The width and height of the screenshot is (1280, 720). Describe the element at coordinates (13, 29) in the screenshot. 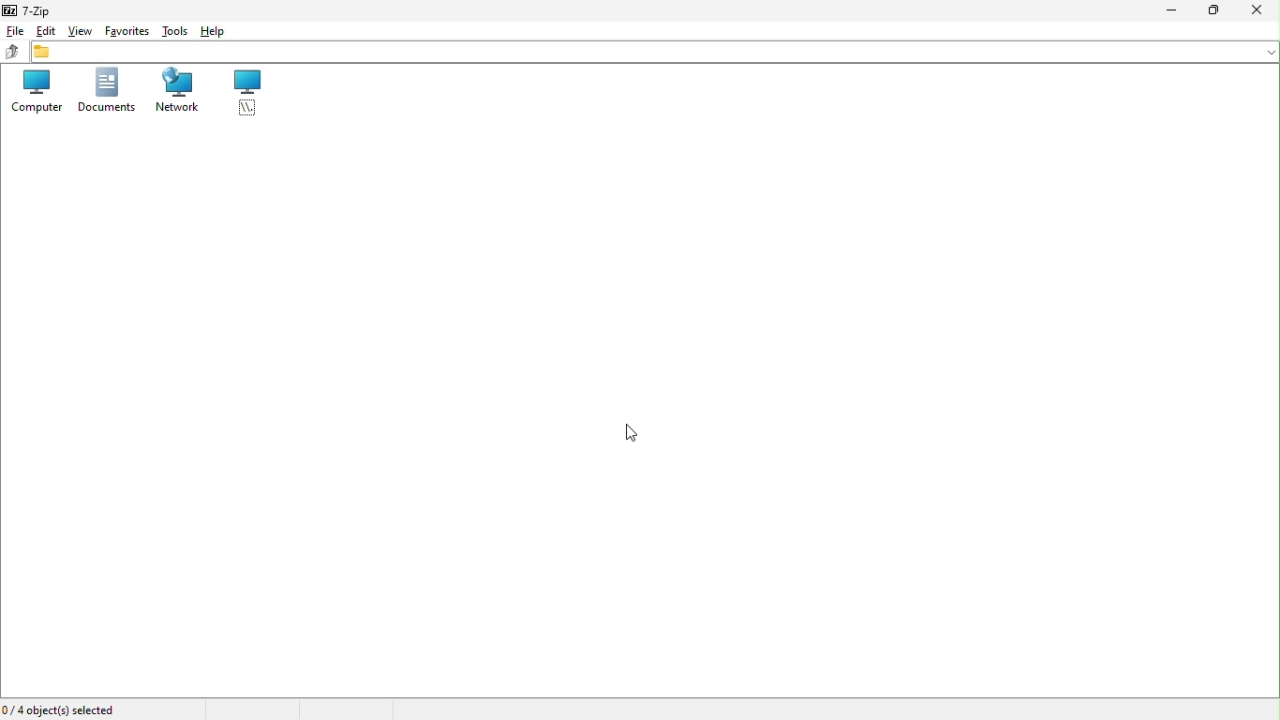

I see `File` at that location.